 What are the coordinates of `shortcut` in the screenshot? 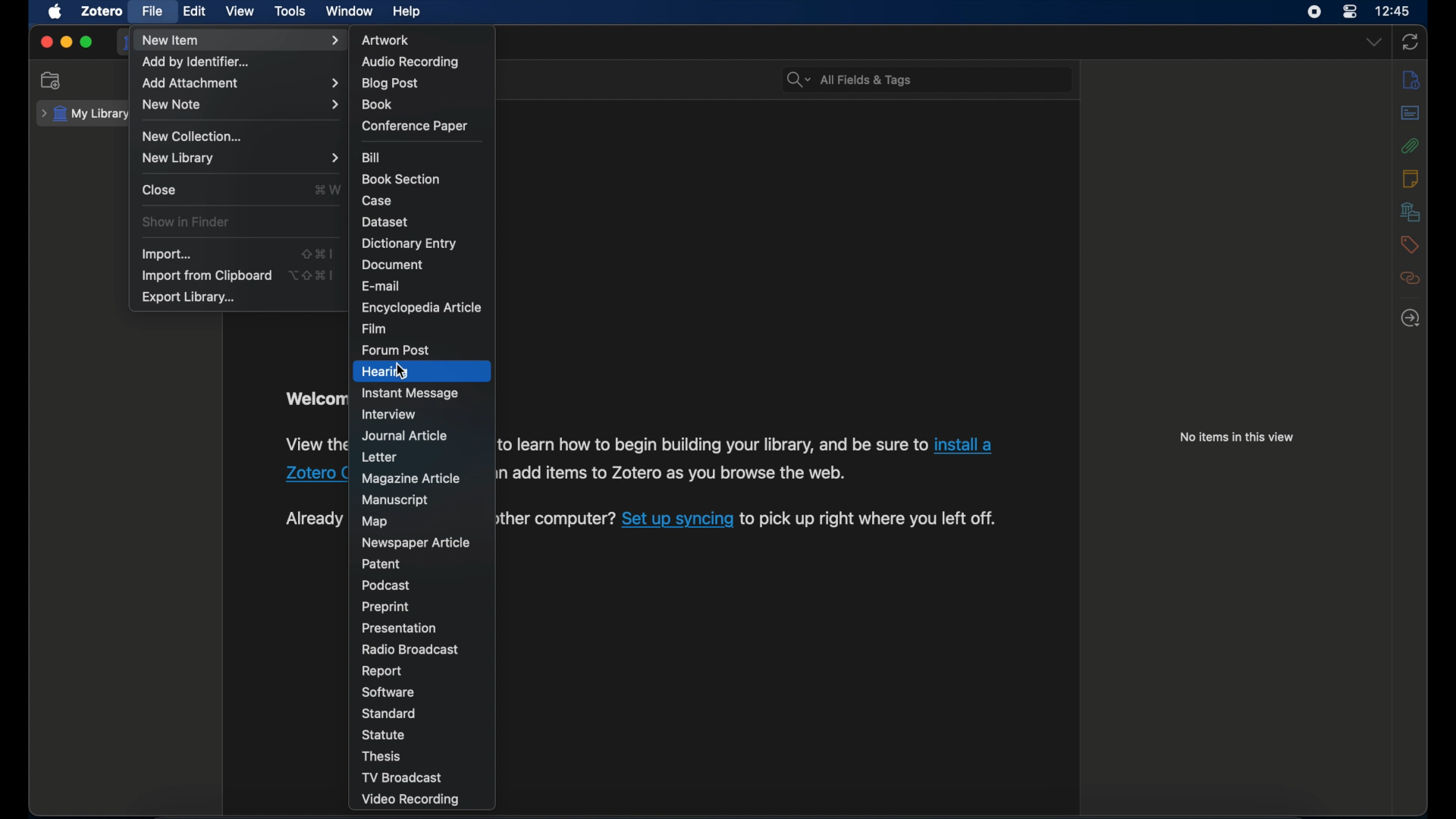 It's located at (326, 189).